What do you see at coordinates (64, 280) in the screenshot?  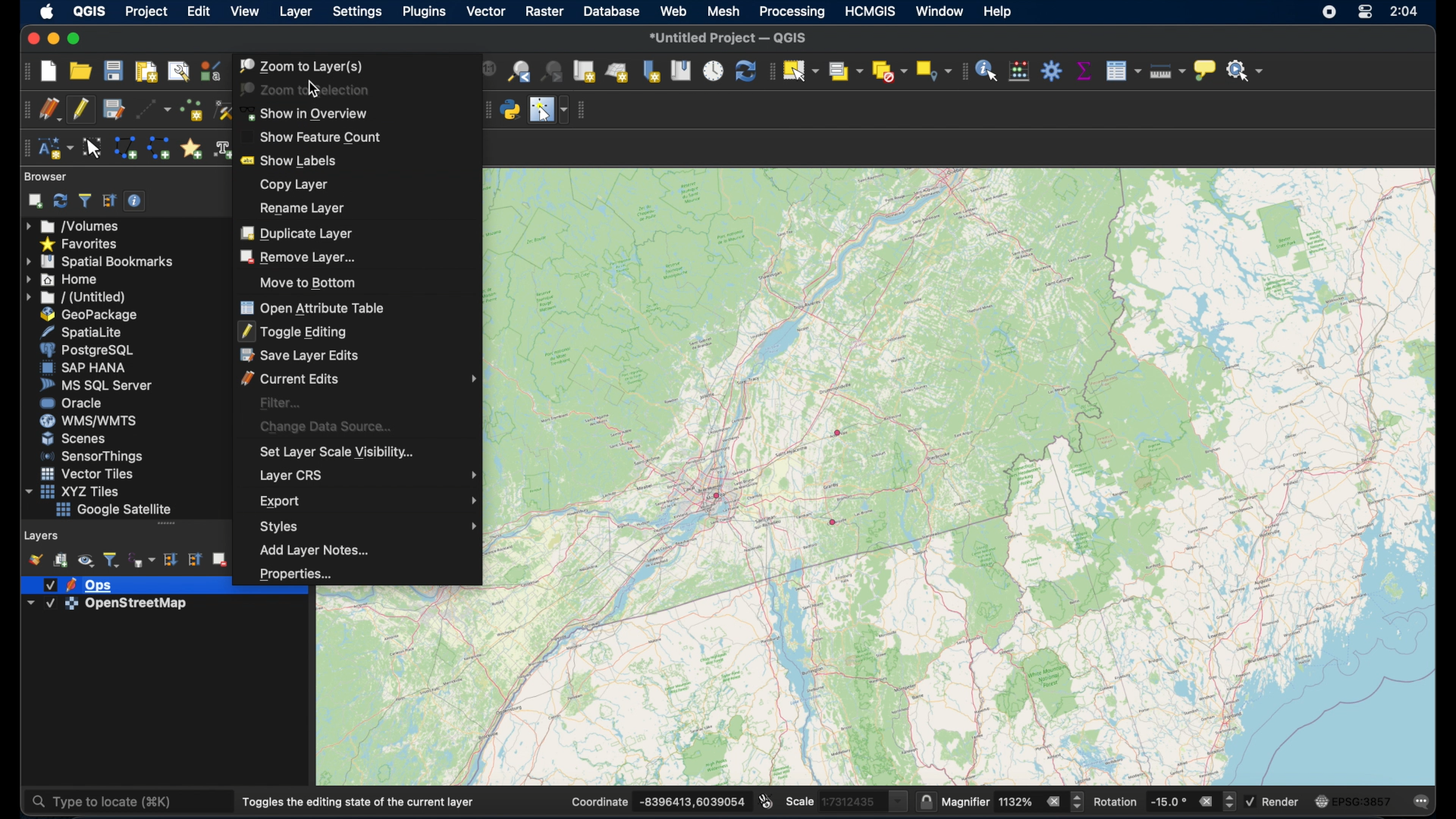 I see `home` at bounding box center [64, 280].